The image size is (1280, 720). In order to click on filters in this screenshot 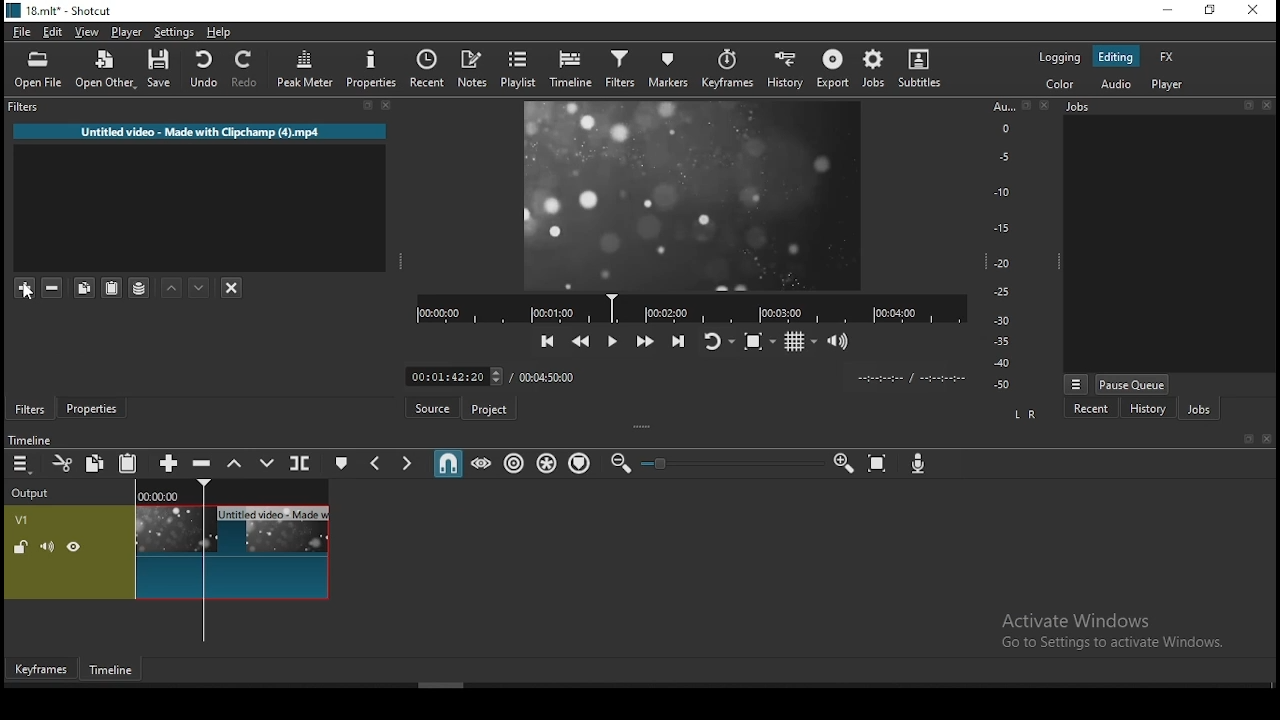, I will do `click(620, 70)`.